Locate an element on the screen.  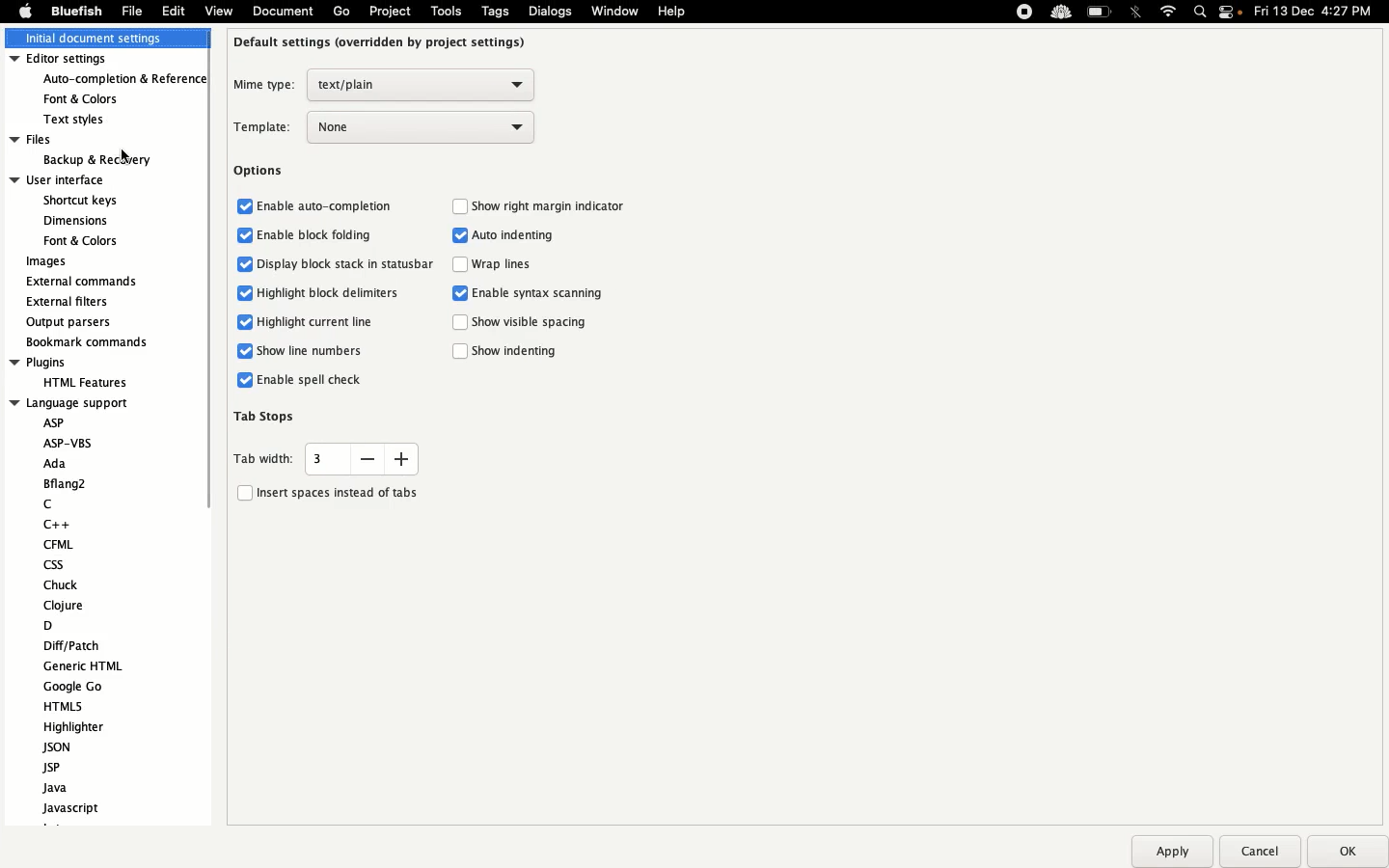
Enable syntax scanning is located at coordinates (531, 293).